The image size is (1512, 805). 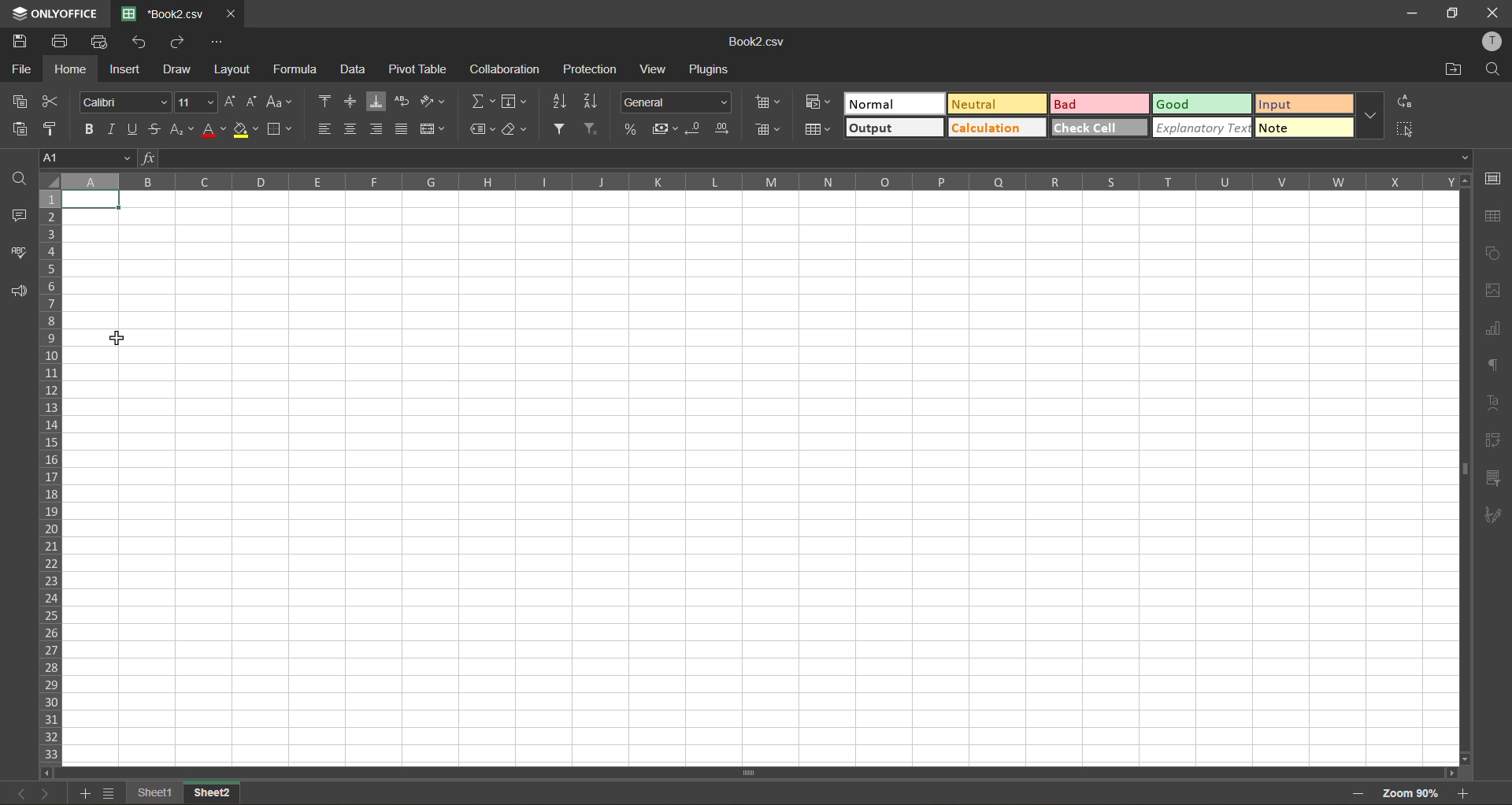 I want to click on formula bar, so click(x=807, y=158).